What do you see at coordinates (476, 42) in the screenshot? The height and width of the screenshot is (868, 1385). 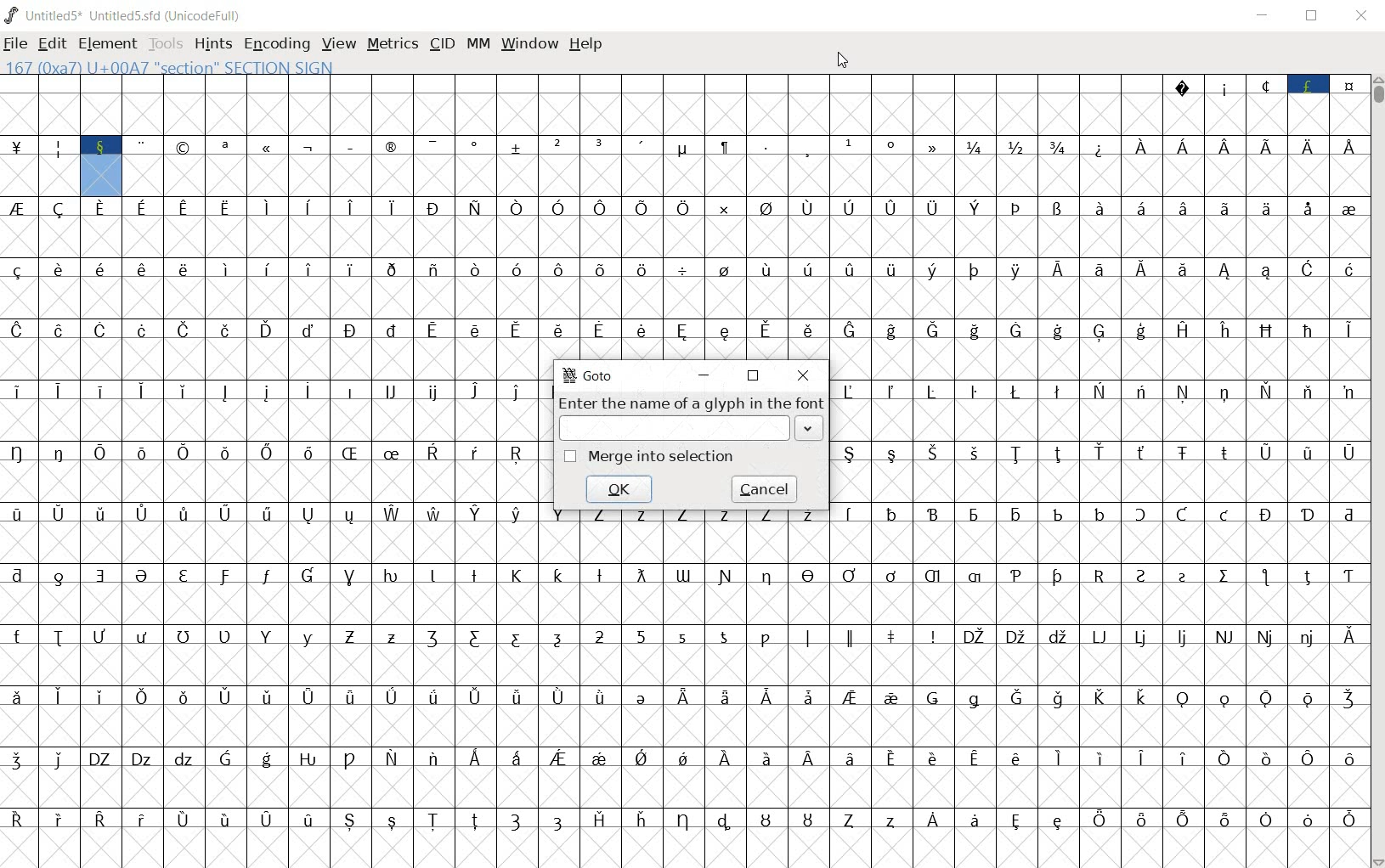 I see `mm` at bounding box center [476, 42].